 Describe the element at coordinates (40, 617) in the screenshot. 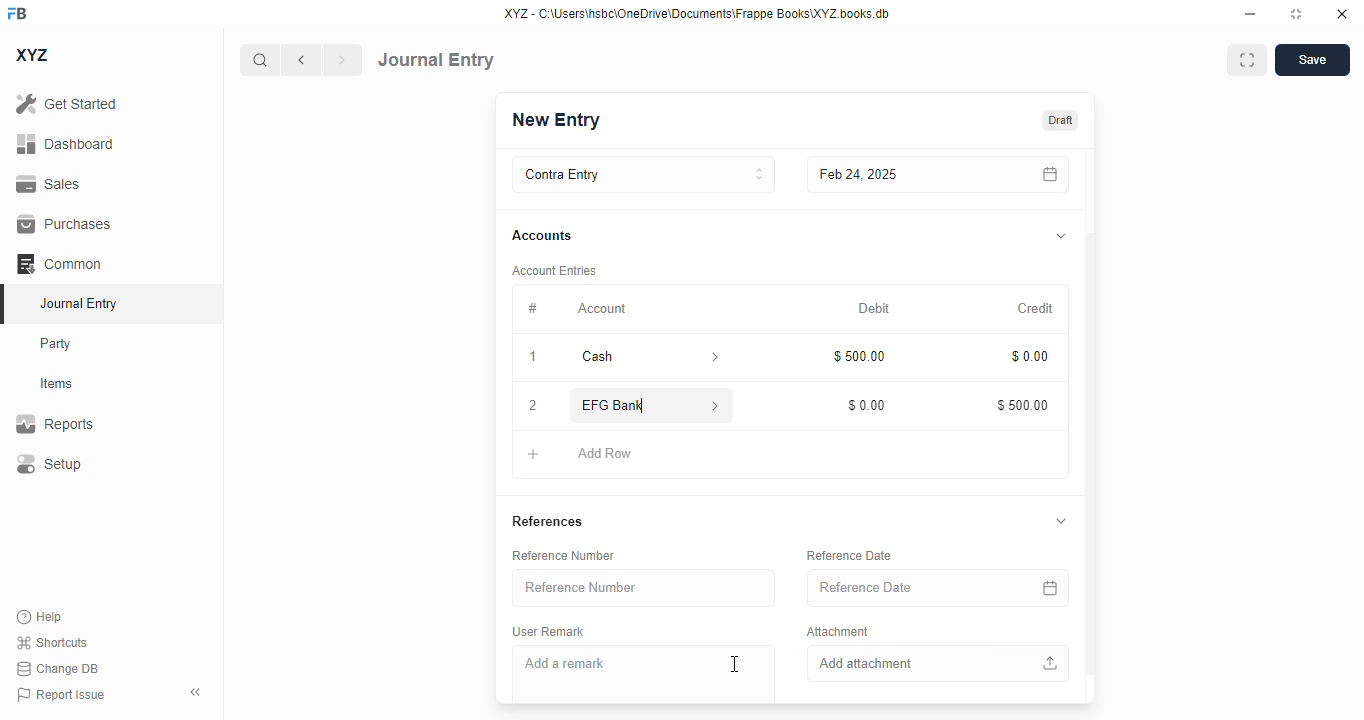

I see `help` at that location.